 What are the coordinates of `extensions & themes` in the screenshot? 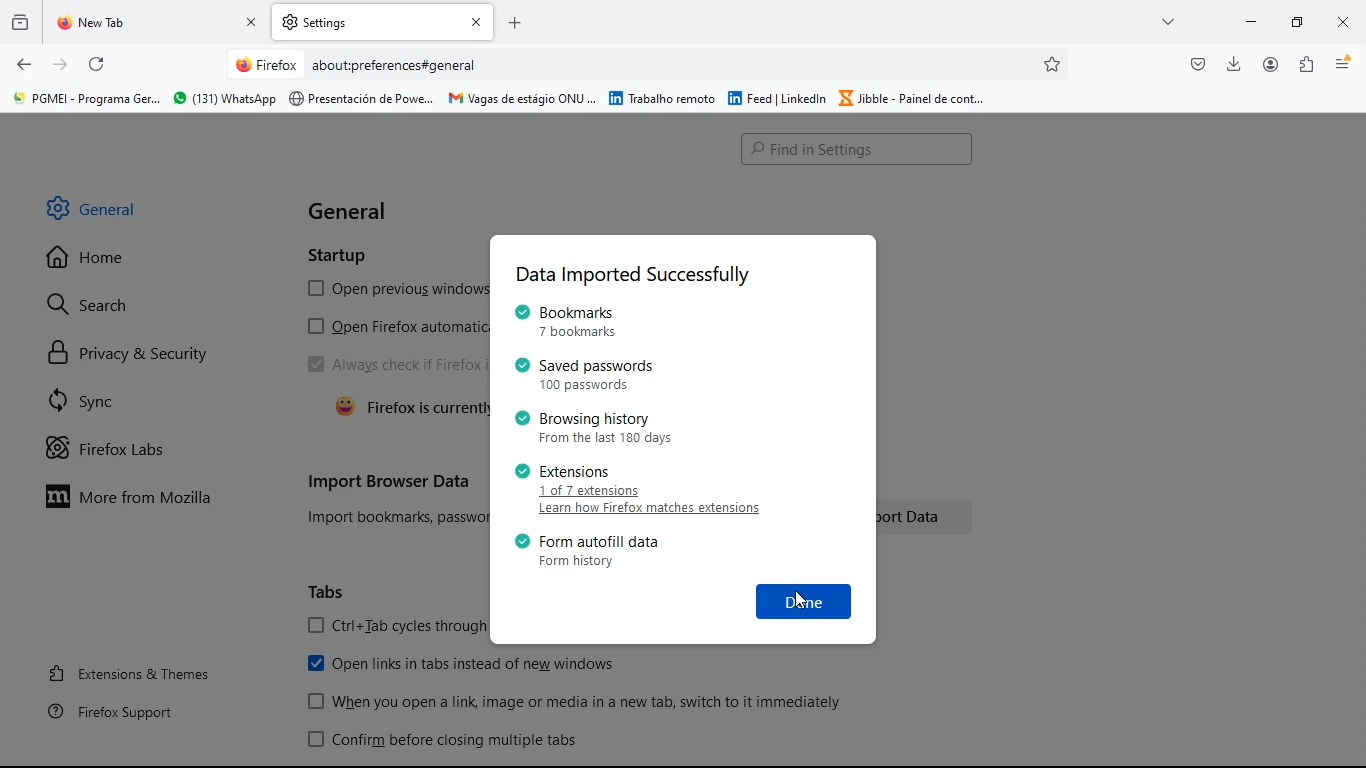 It's located at (137, 672).